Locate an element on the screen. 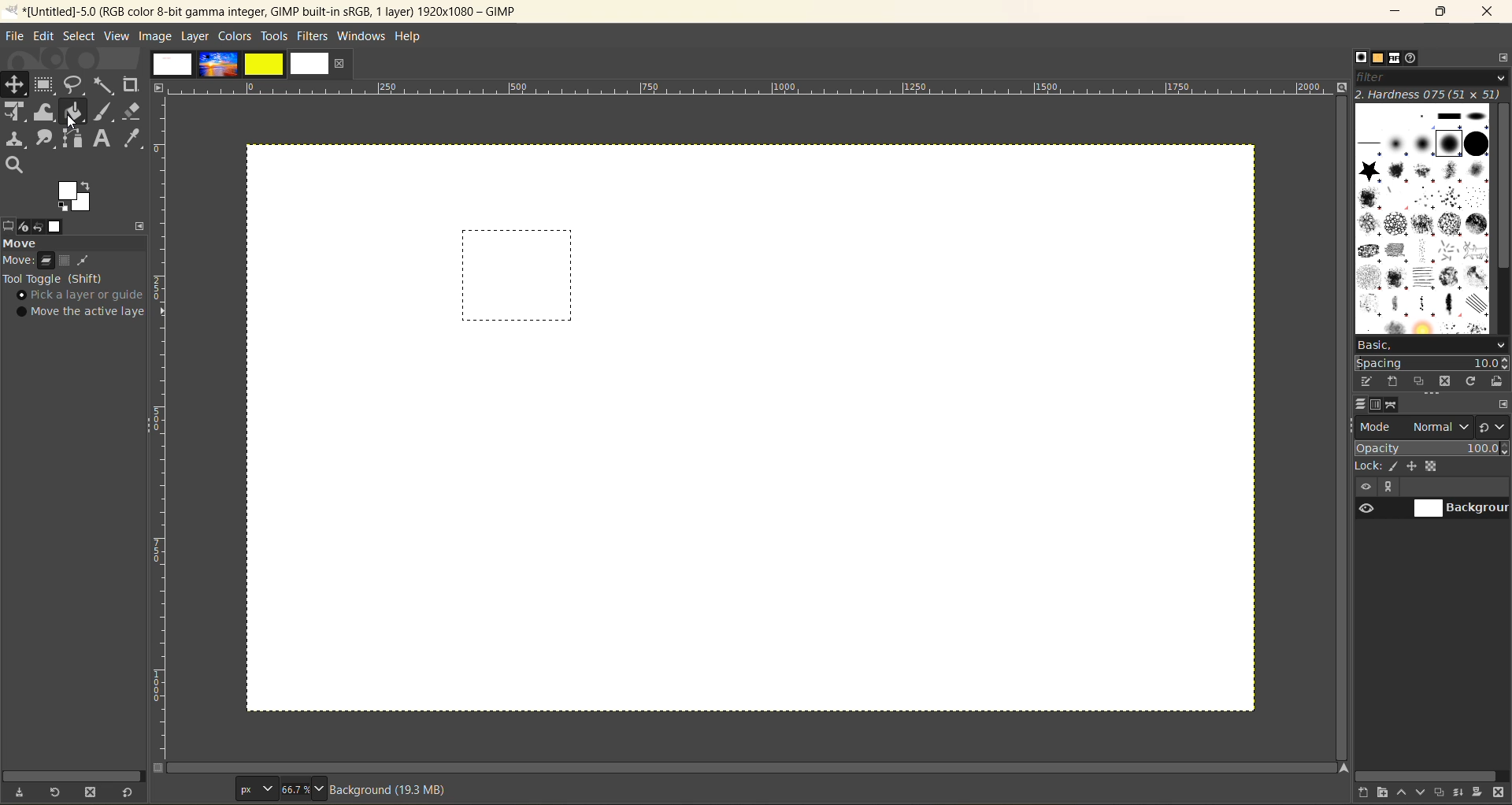 This screenshot has height=805, width=1512. spacing is located at coordinates (1432, 362).